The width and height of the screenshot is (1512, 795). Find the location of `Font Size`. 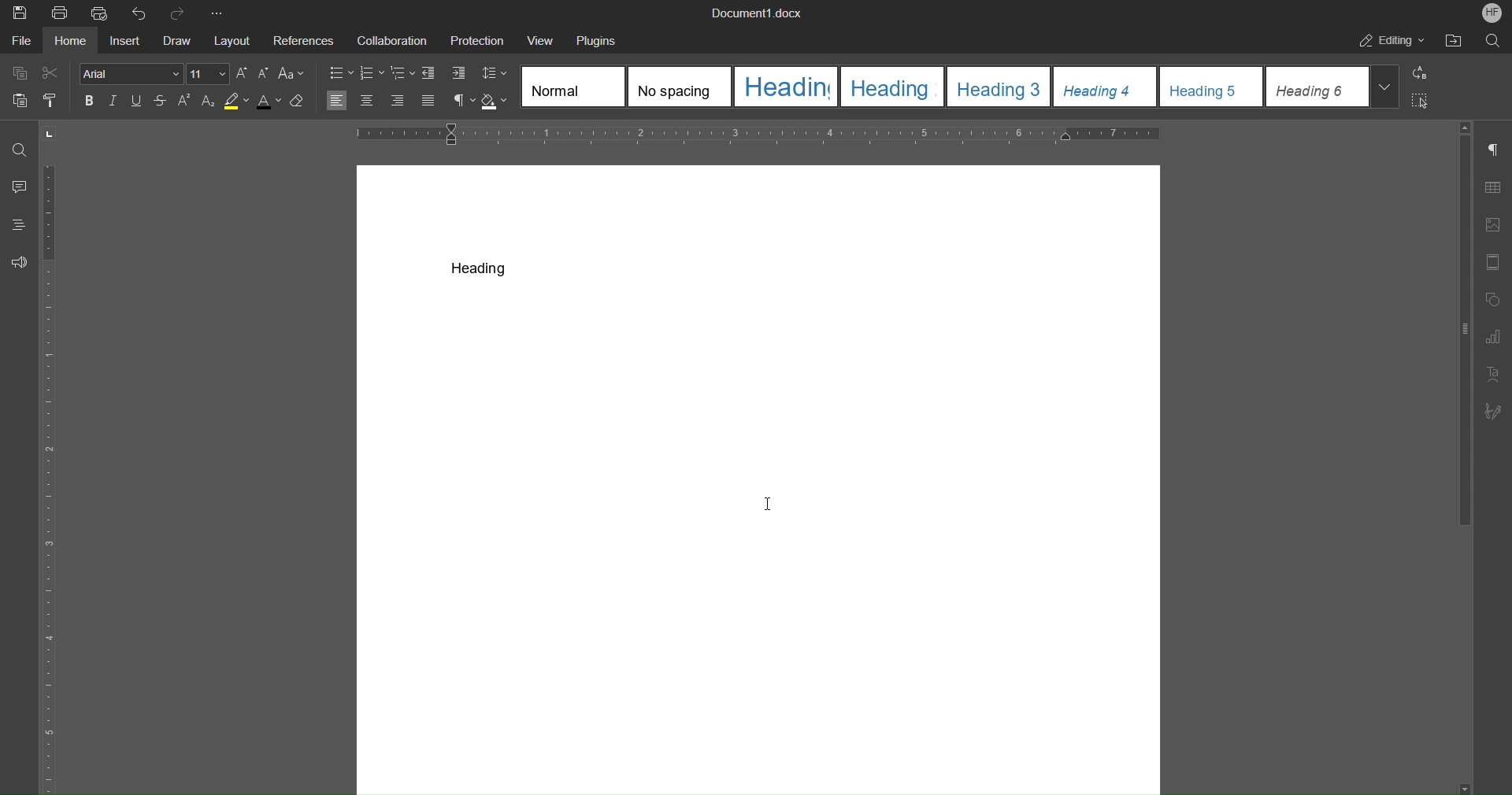

Font Size is located at coordinates (209, 73).